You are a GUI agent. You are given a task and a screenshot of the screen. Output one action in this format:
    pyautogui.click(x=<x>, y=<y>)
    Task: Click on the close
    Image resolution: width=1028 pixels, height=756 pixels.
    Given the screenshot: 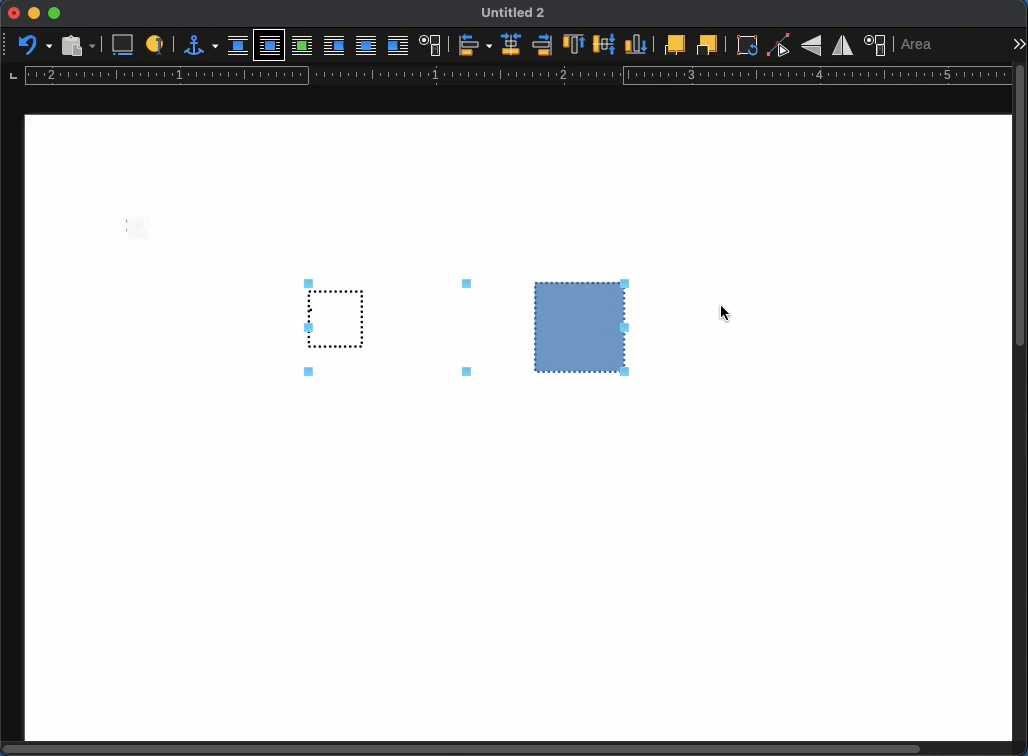 What is the action you would take?
    pyautogui.click(x=13, y=13)
    